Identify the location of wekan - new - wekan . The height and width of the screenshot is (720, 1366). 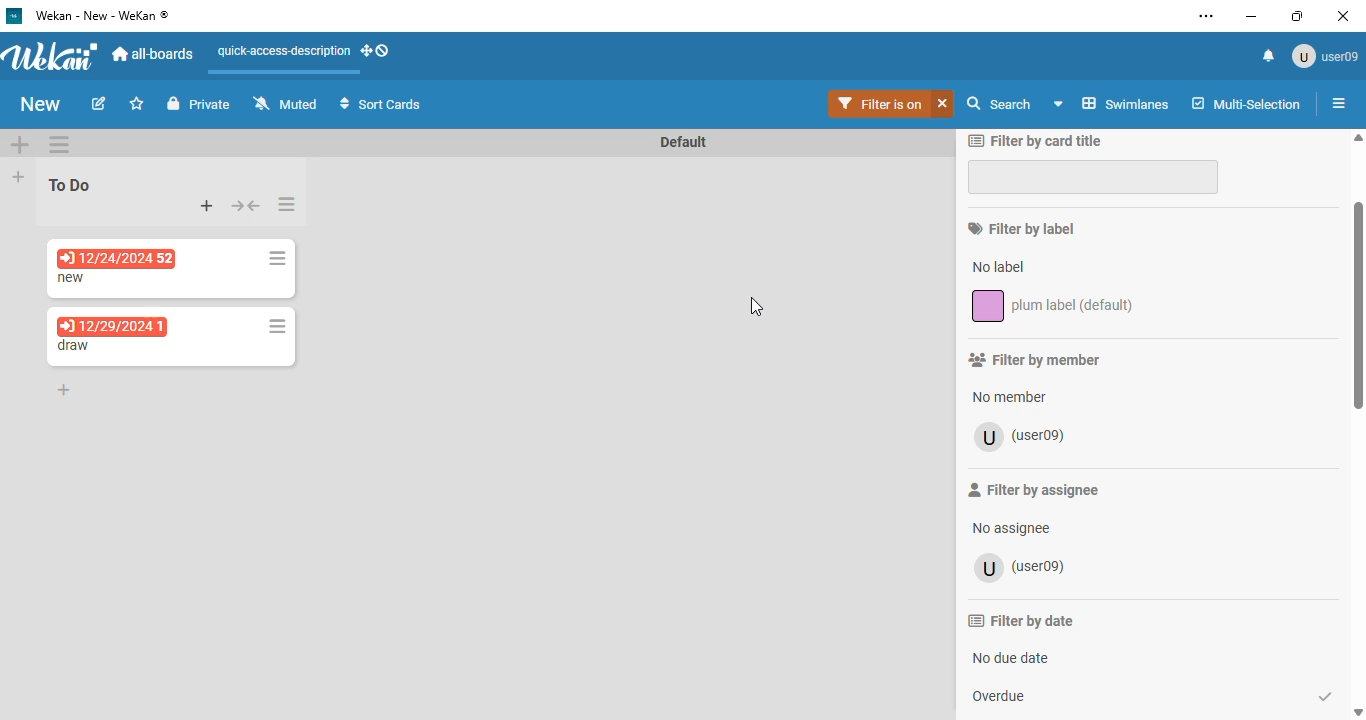
(102, 15).